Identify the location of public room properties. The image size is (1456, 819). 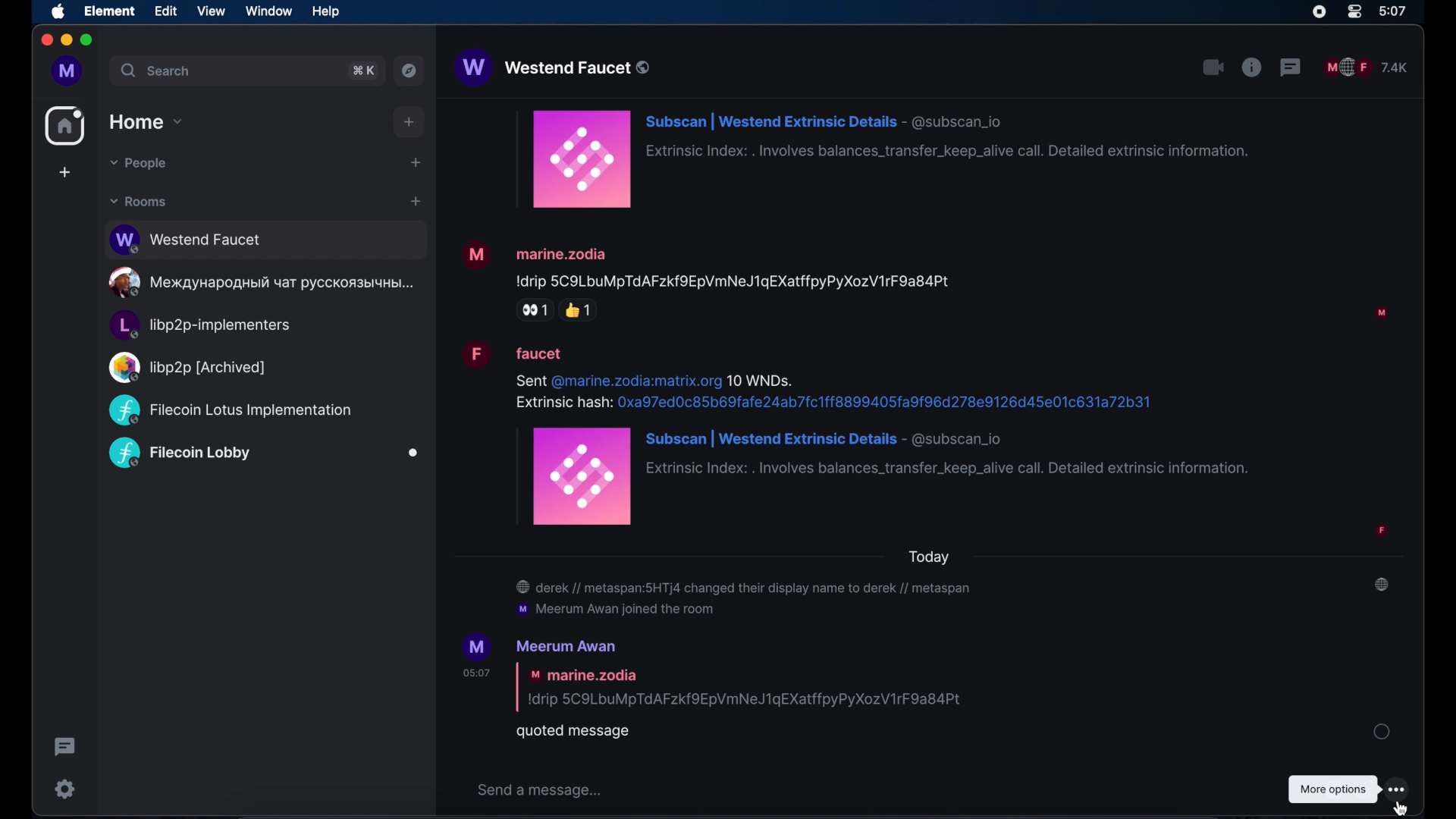
(1252, 67).